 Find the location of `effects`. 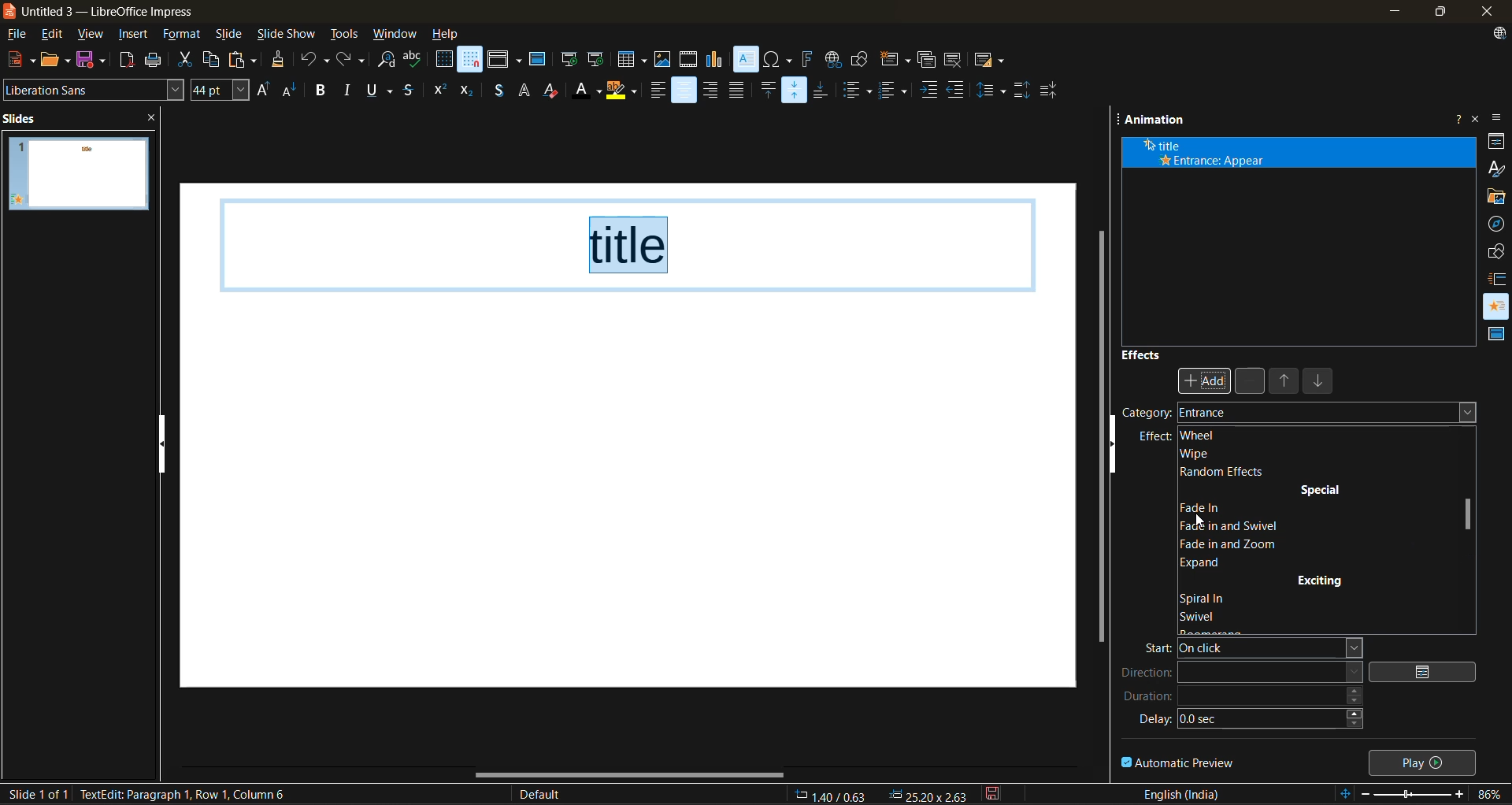

effects is located at coordinates (1142, 354).